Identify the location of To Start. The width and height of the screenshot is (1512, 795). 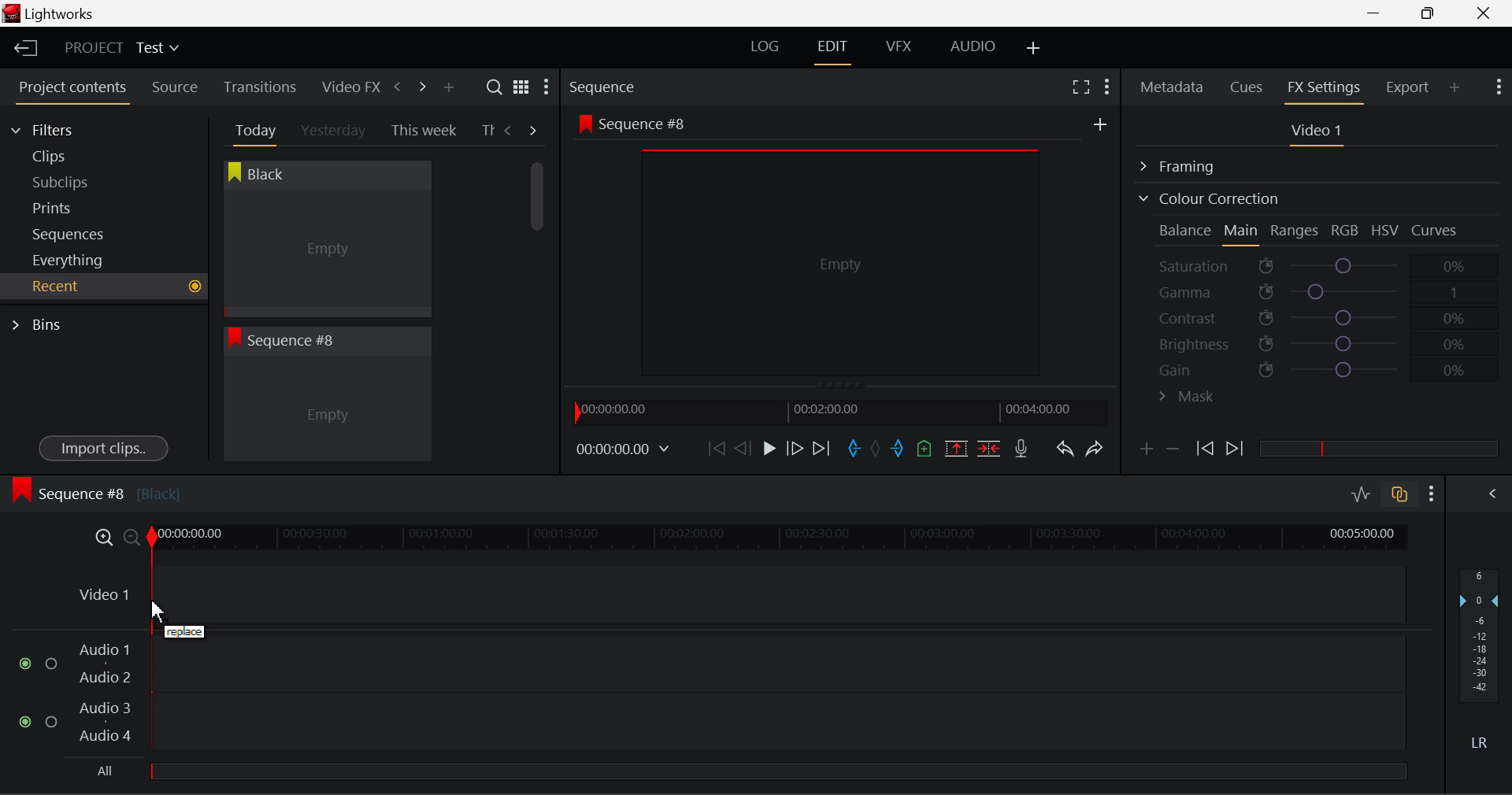
(715, 448).